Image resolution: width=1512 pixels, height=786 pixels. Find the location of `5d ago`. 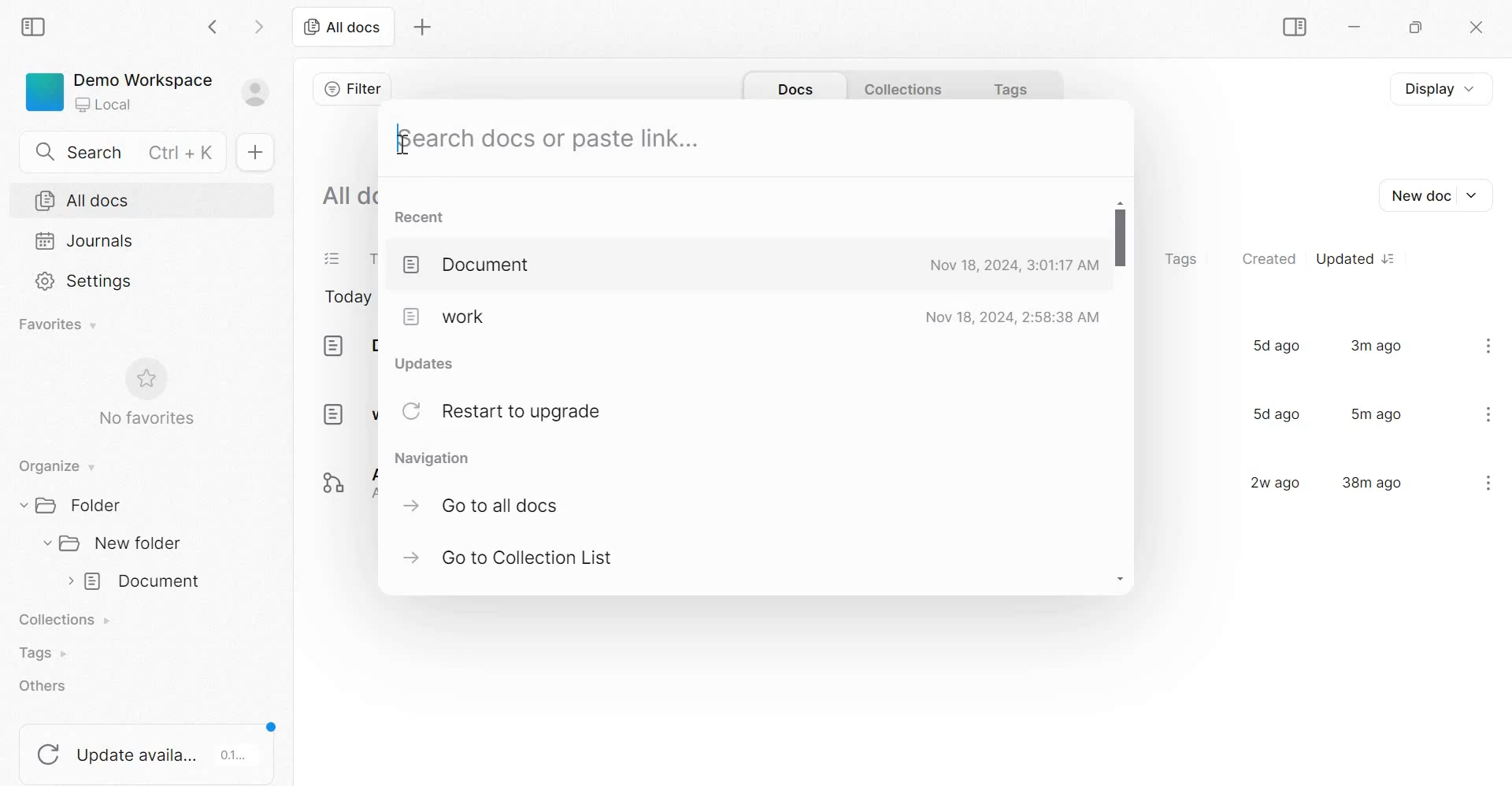

5d ago is located at coordinates (1275, 345).